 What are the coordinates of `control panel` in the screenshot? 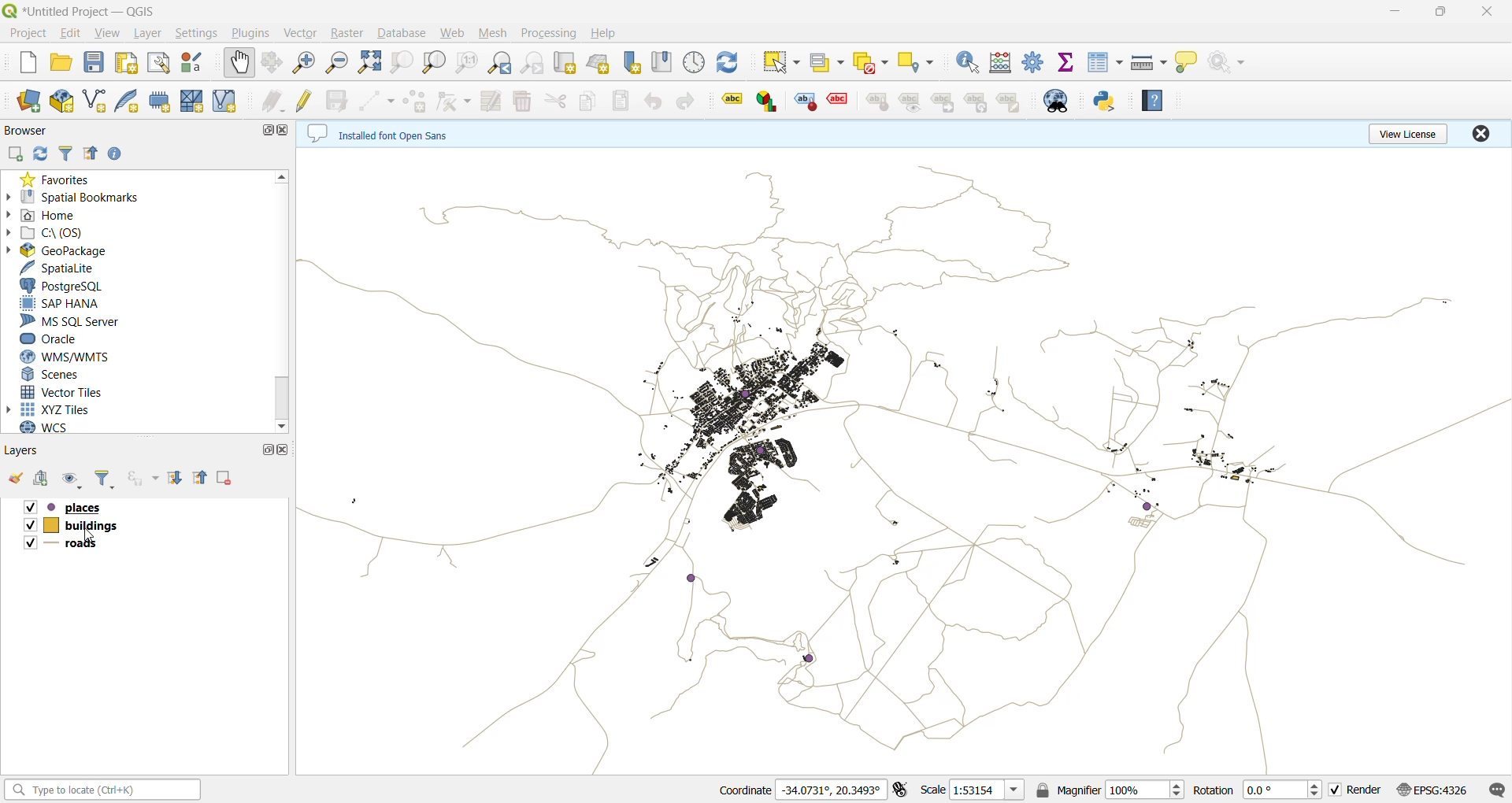 It's located at (695, 63).